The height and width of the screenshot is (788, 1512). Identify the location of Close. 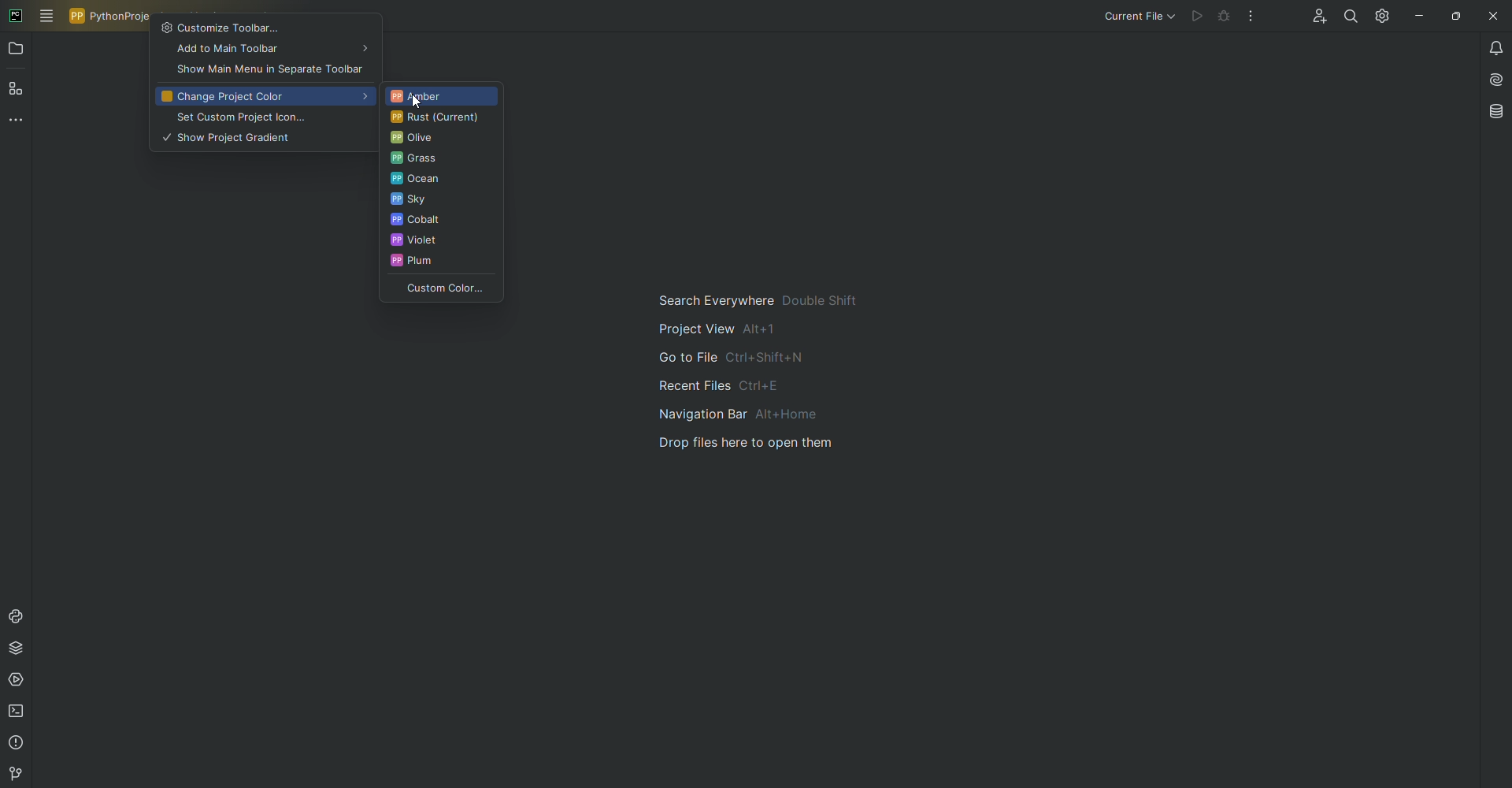
(1492, 16).